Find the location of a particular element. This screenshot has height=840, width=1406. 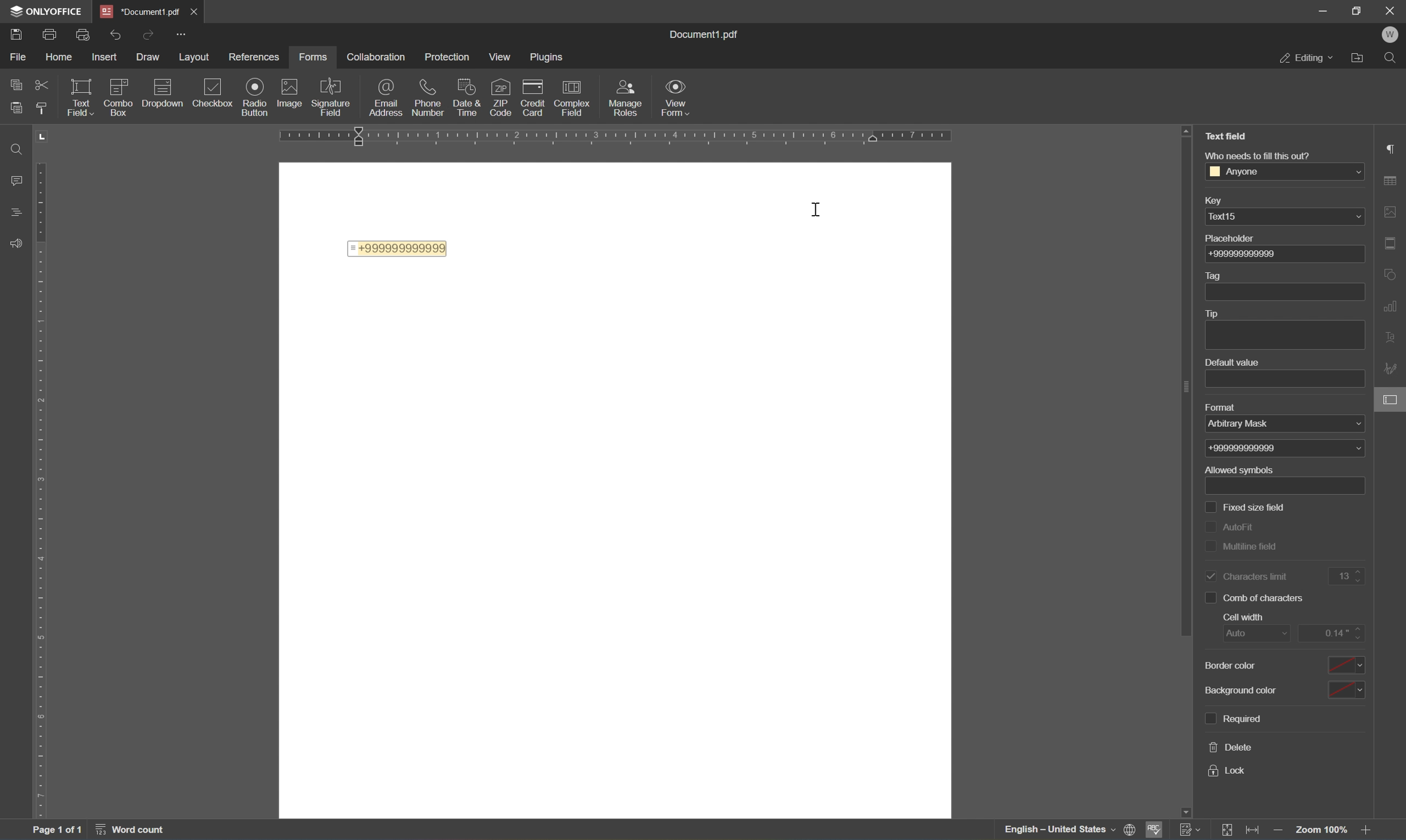

protection is located at coordinates (450, 59).